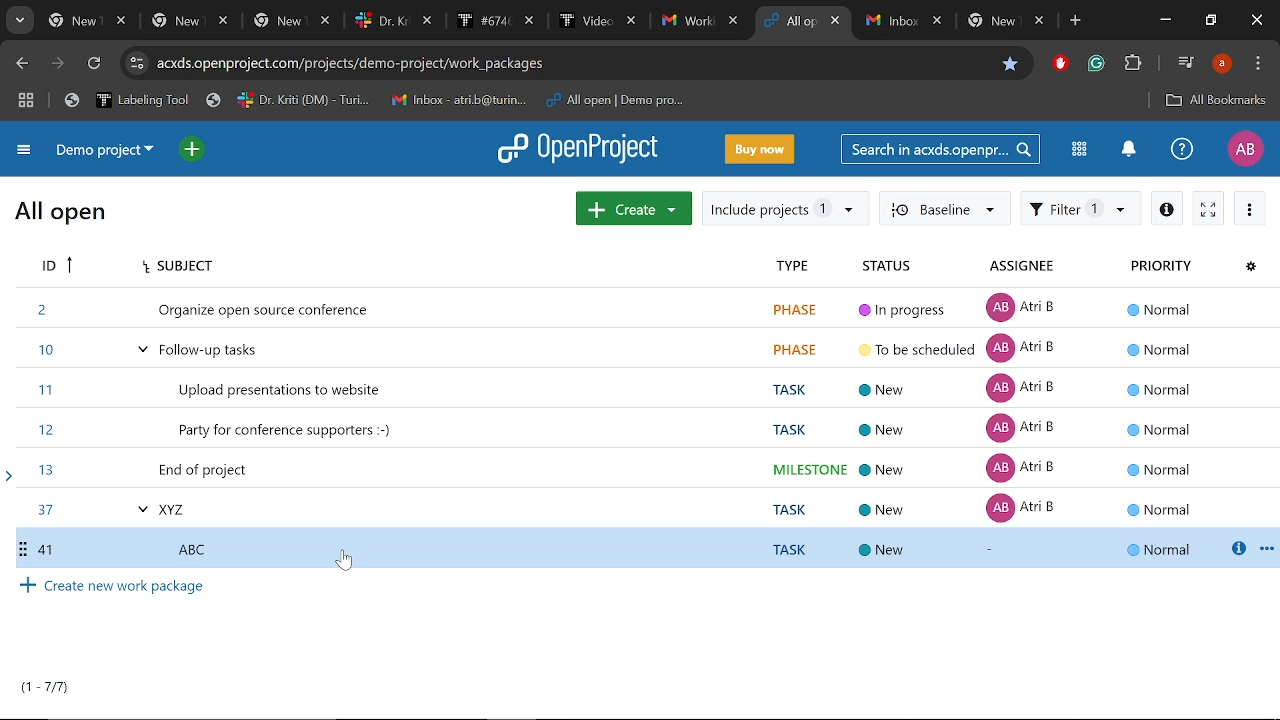 The height and width of the screenshot is (720, 1280). Describe the element at coordinates (1210, 19) in the screenshot. I see `Restore down` at that location.